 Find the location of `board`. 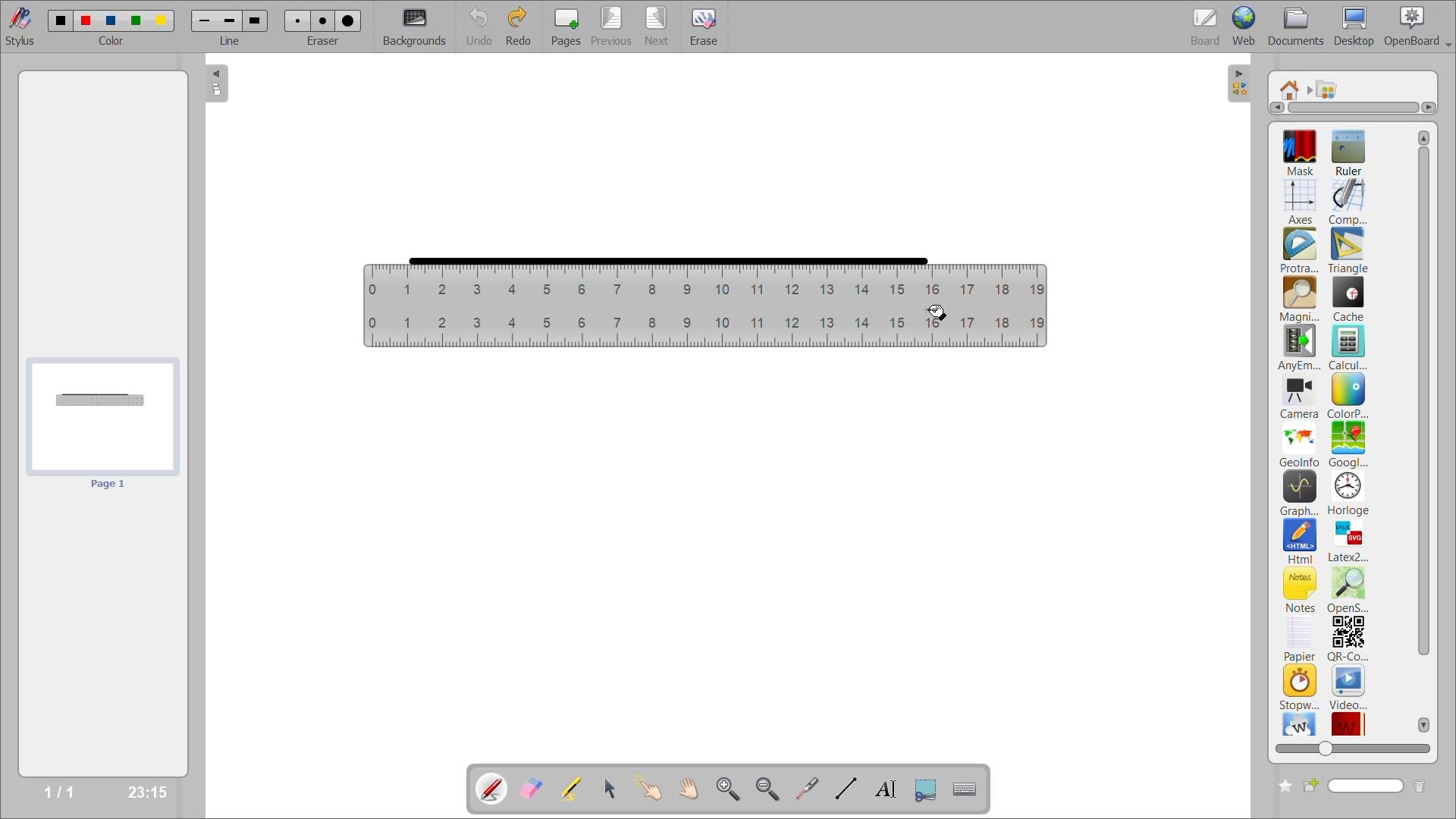

board is located at coordinates (1208, 26).